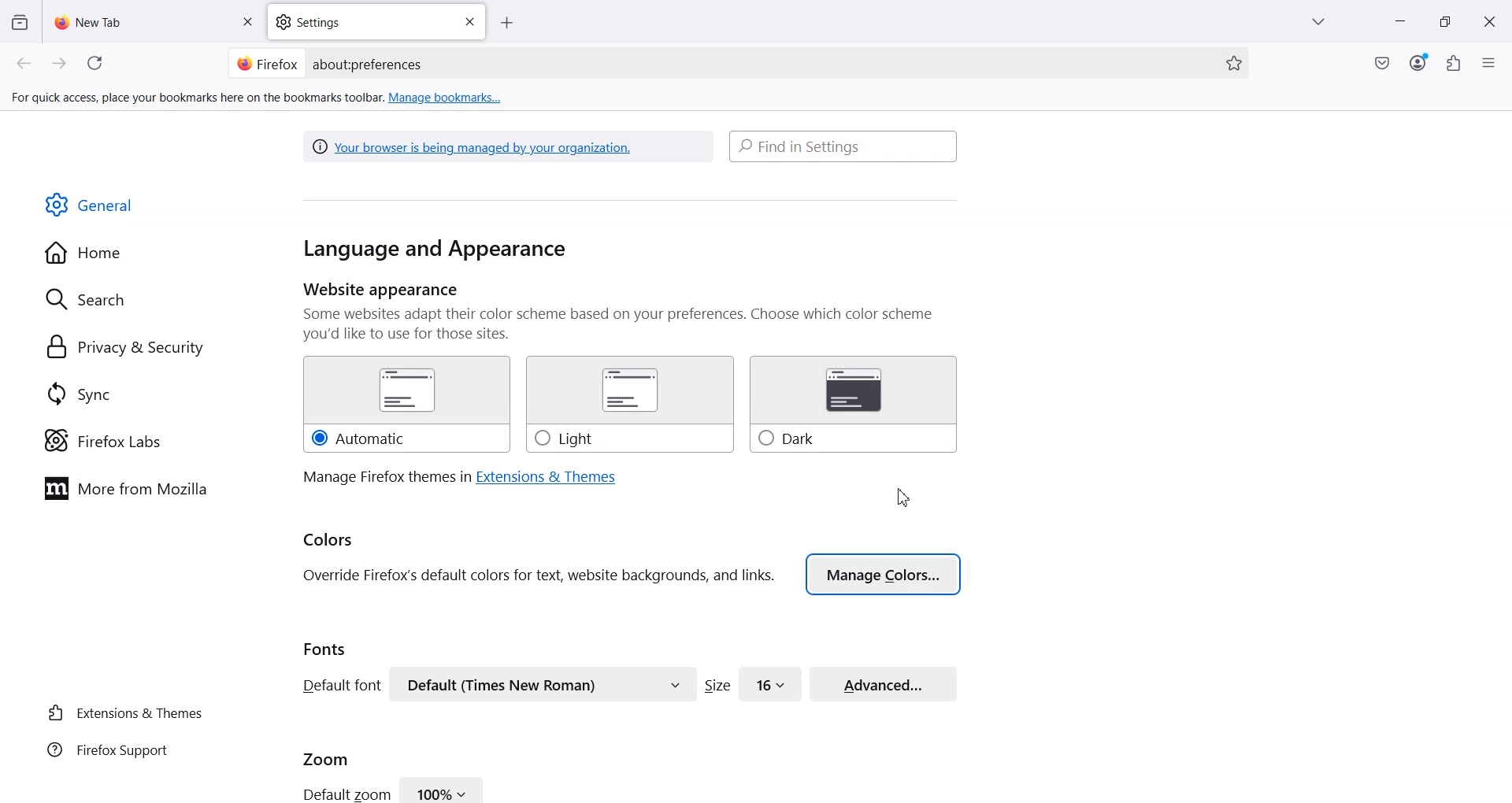 This screenshot has height=803, width=1512. I want to click on Advanced..., so click(884, 682).